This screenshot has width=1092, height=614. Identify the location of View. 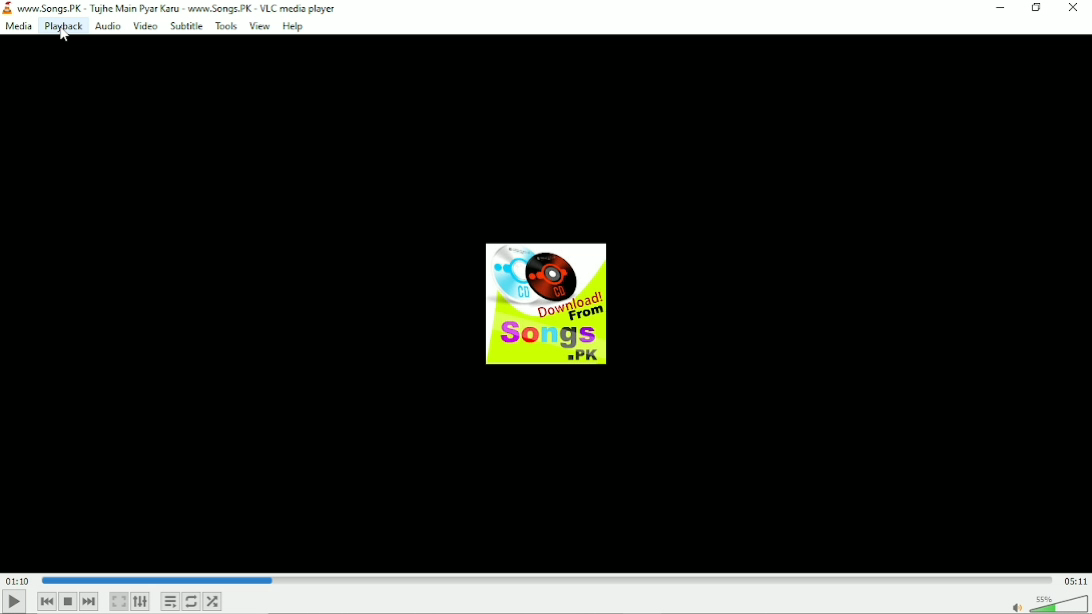
(259, 26).